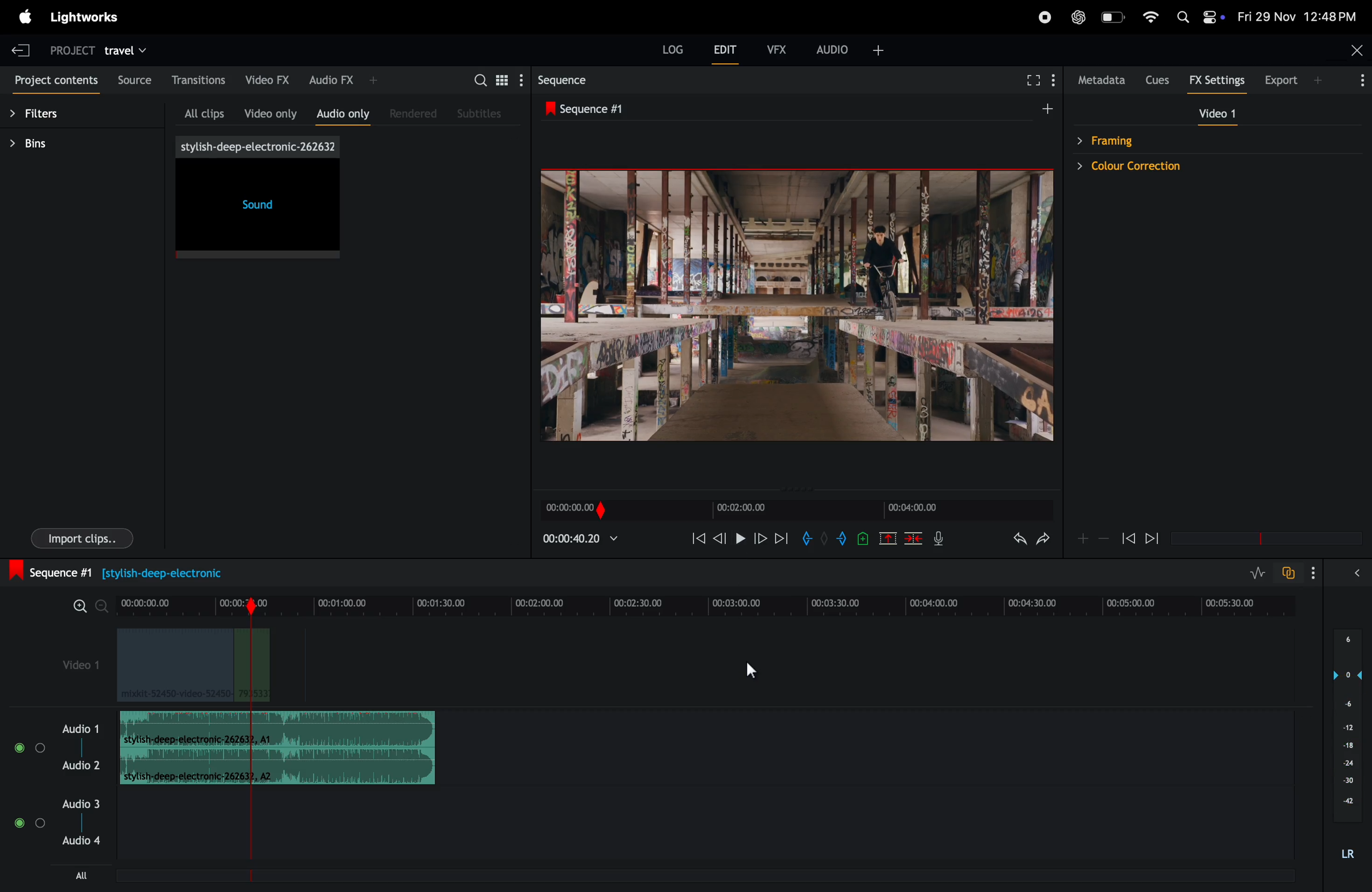  What do you see at coordinates (205, 111) in the screenshot?
I see `all clips` at bounding box center [205, 111].